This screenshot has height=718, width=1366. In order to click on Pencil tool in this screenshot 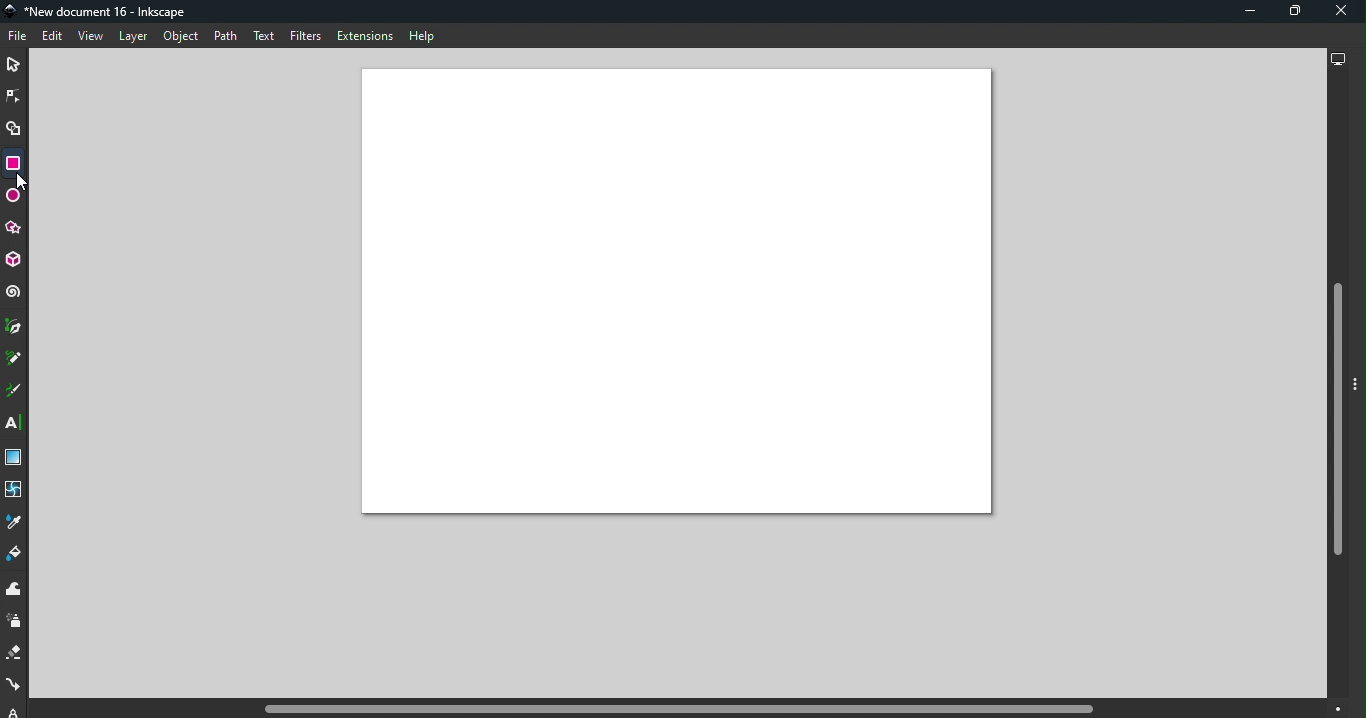, I will do `click(17, 357)`.